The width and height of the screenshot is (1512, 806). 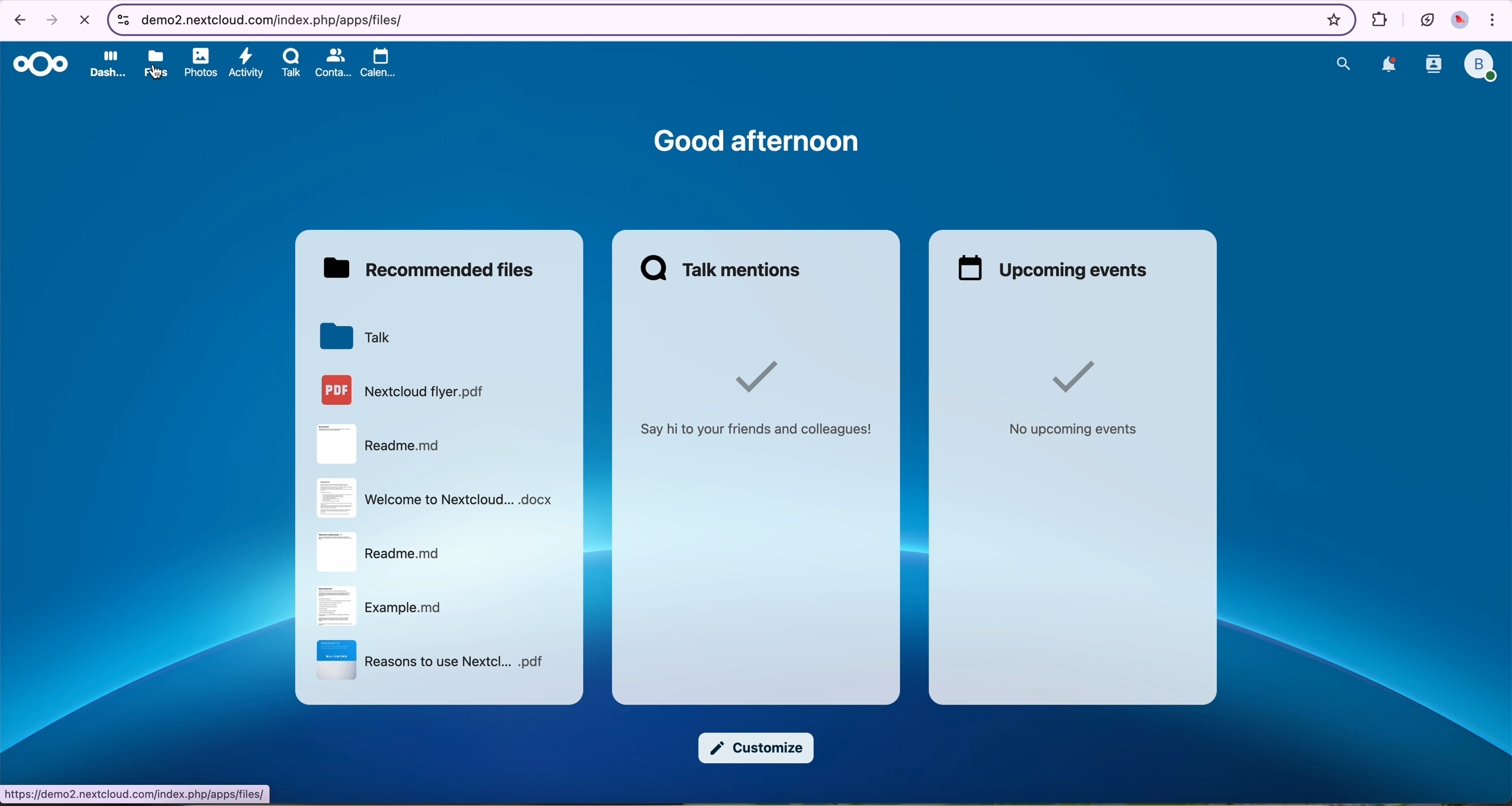 What do you see at coordinates (39, 65) in the screenshot?
I see `Nextcloud logo` at bounding box center [39, 65].